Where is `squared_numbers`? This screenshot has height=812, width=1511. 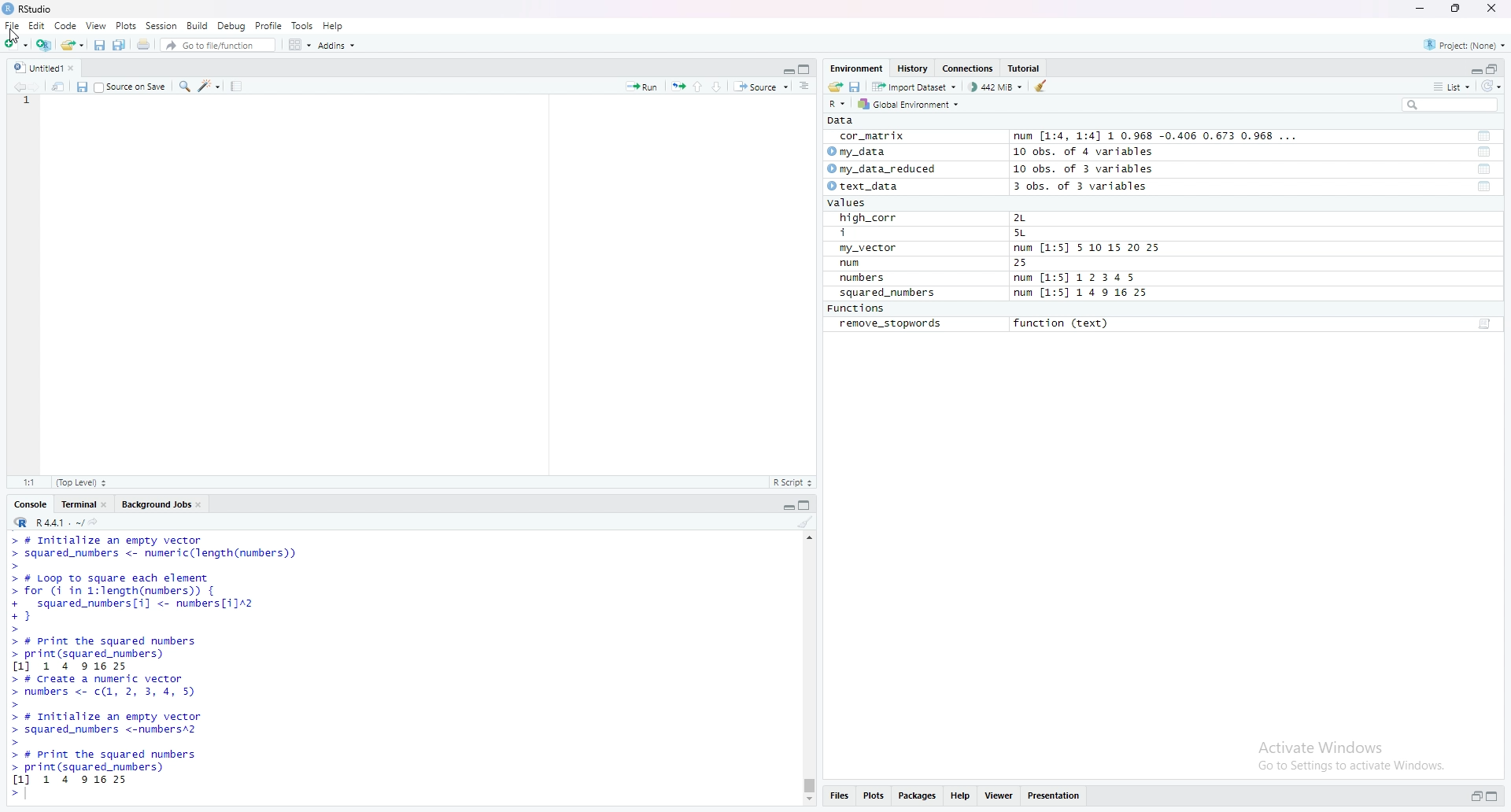 squared_numbers is located at coordinates (888, 292).